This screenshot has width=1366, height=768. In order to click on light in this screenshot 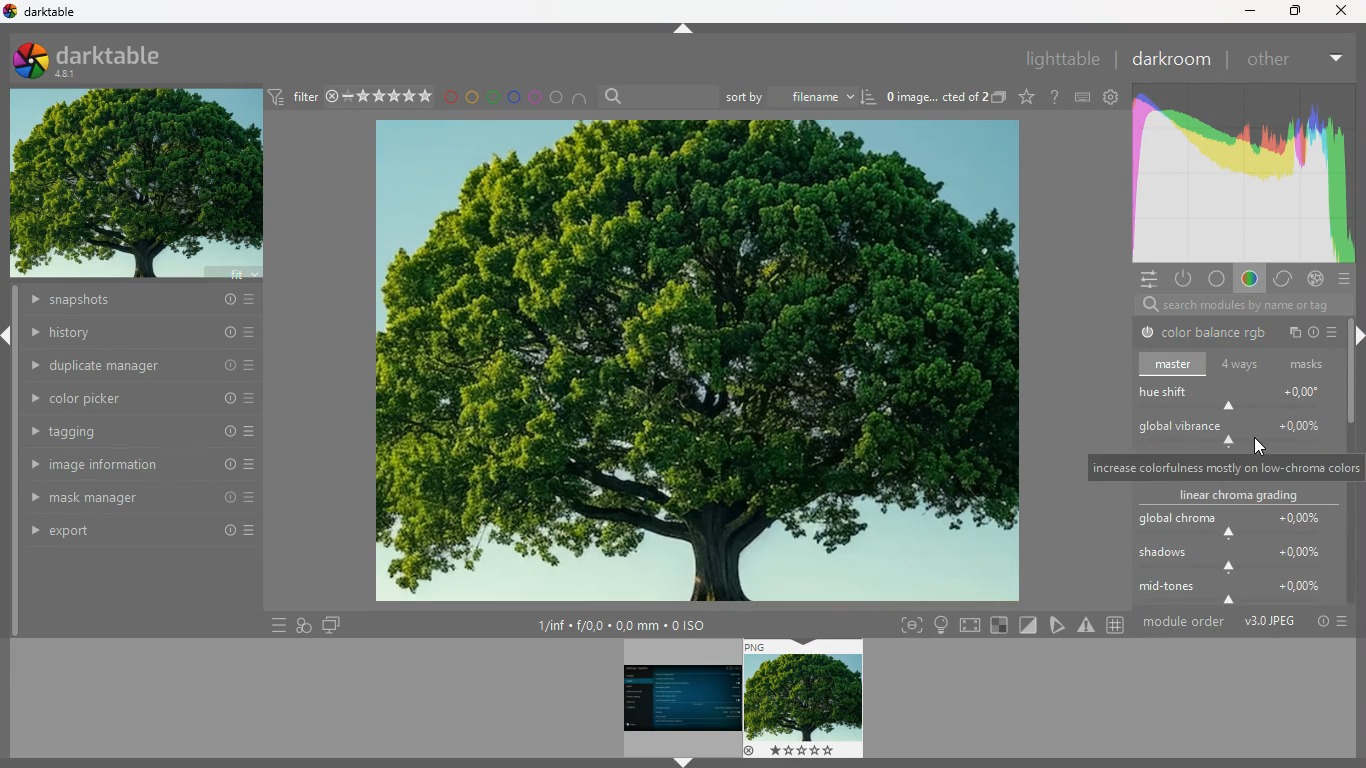, I will do `click(941, 625)`.